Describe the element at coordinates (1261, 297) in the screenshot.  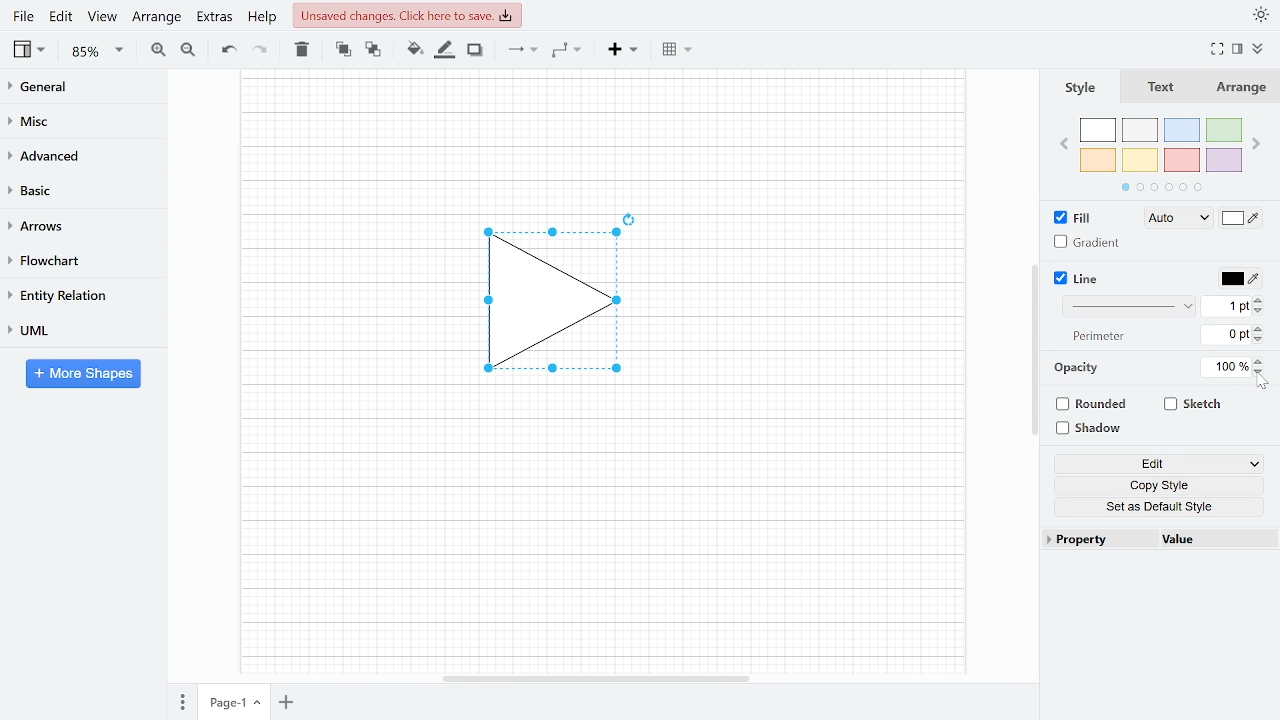
I see `INcrease line width` at that location.